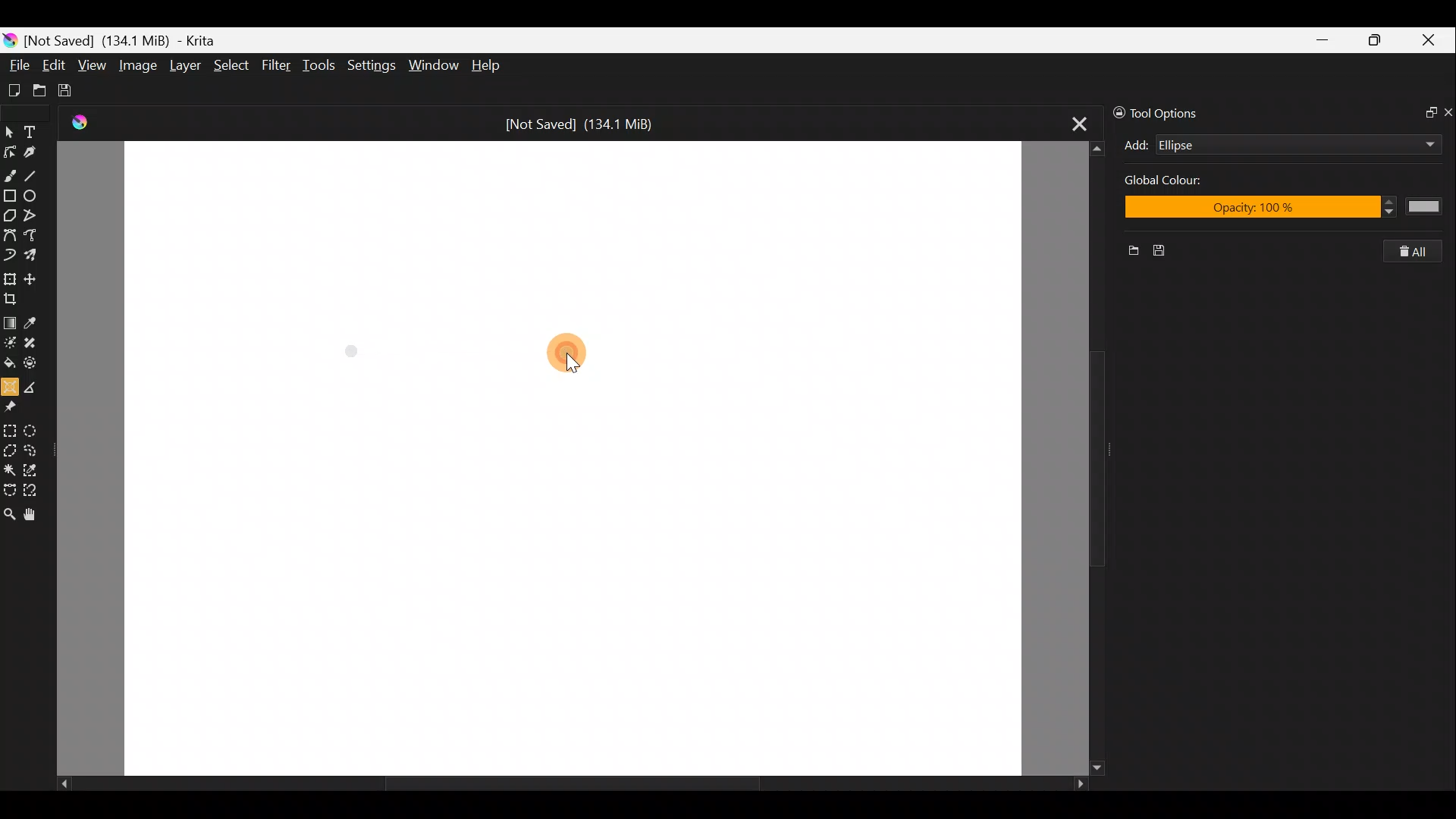  I want to click on Scroll bar, so click(1078, 457).